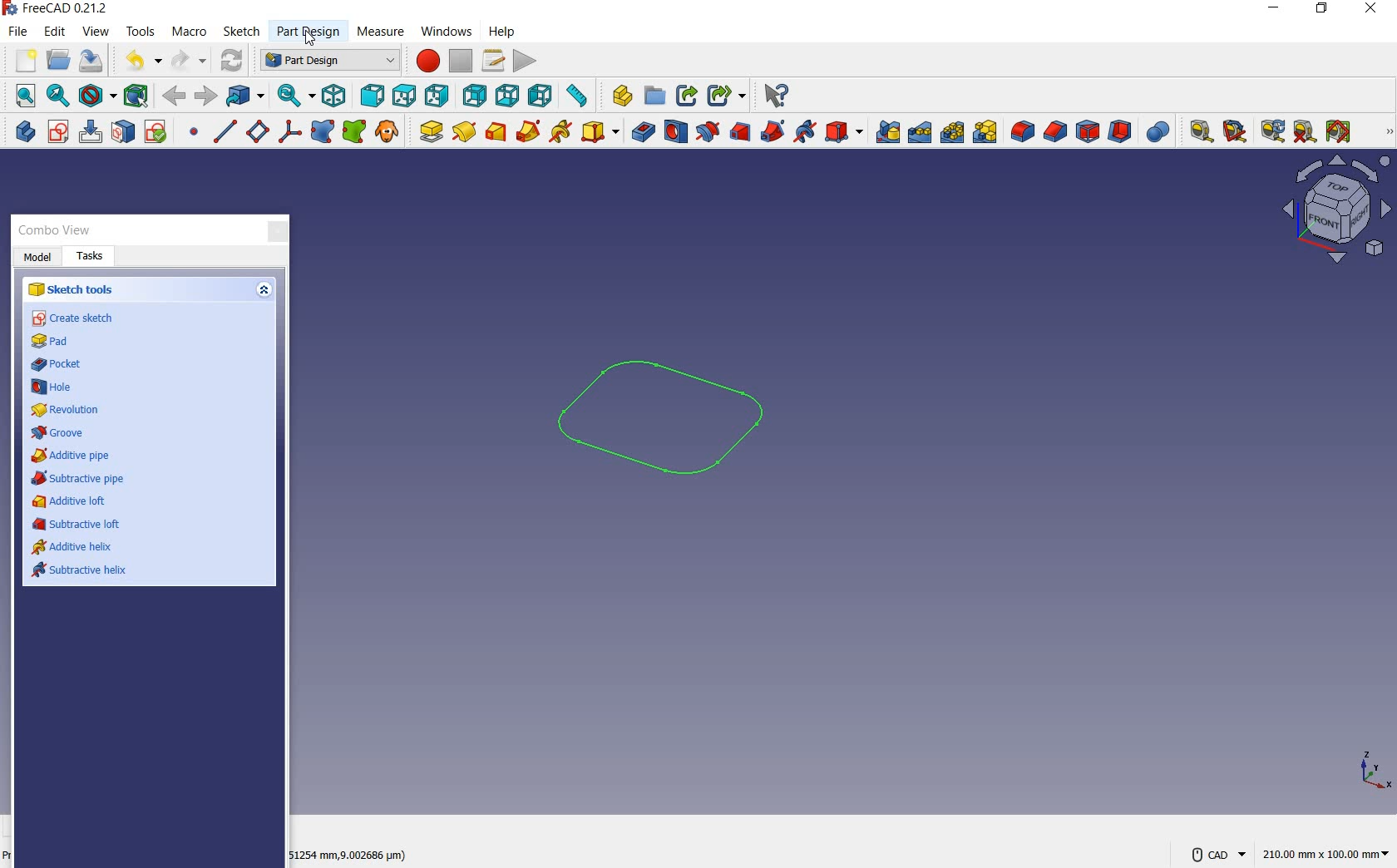 The width and height of the screenshot is (1397, 868). Describe the element at coordinates (641, 131) in the screenshot. I see `pocket` at that location.